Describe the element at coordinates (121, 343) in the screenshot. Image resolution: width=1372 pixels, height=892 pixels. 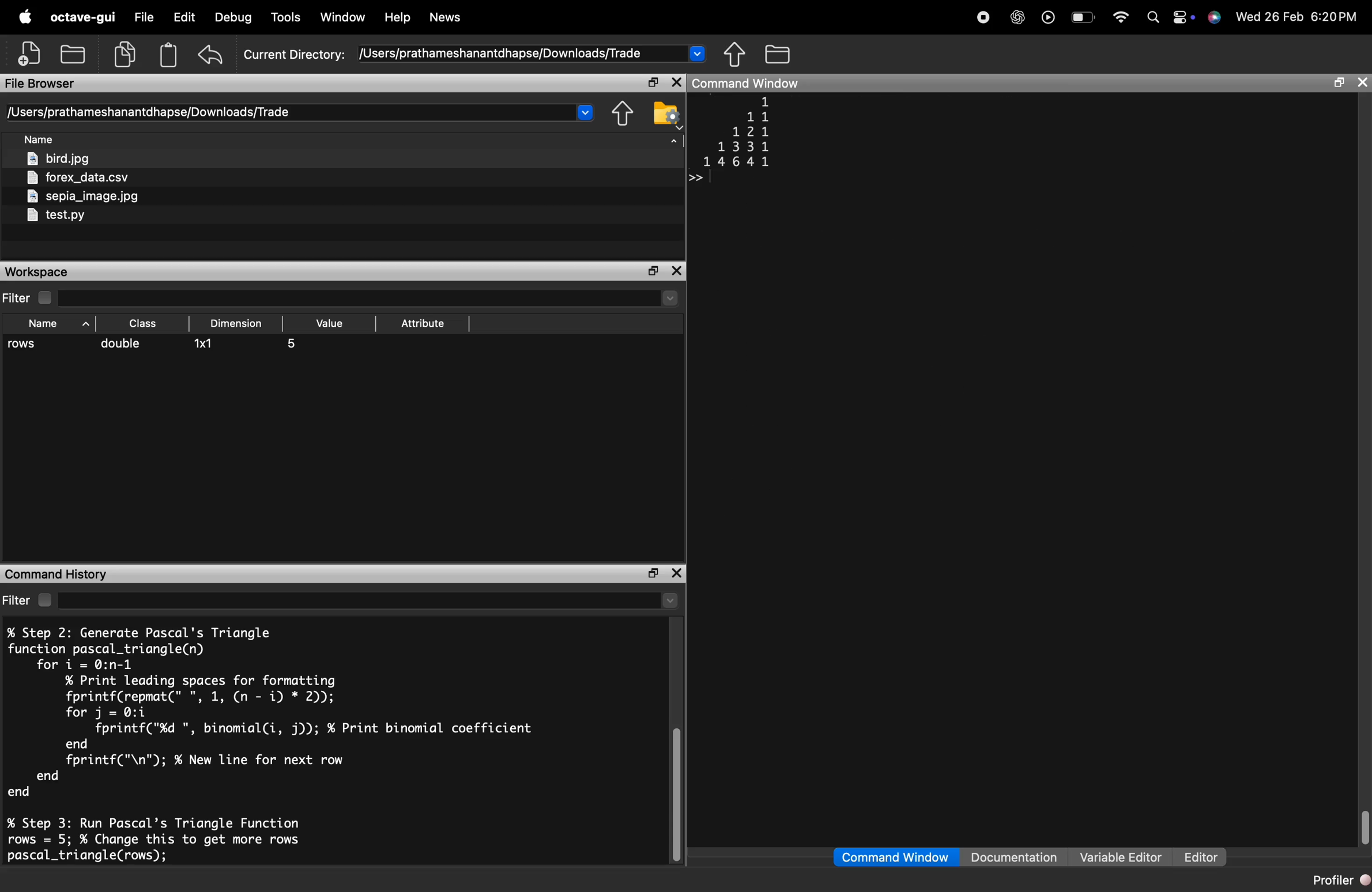
I see `double` at that location.